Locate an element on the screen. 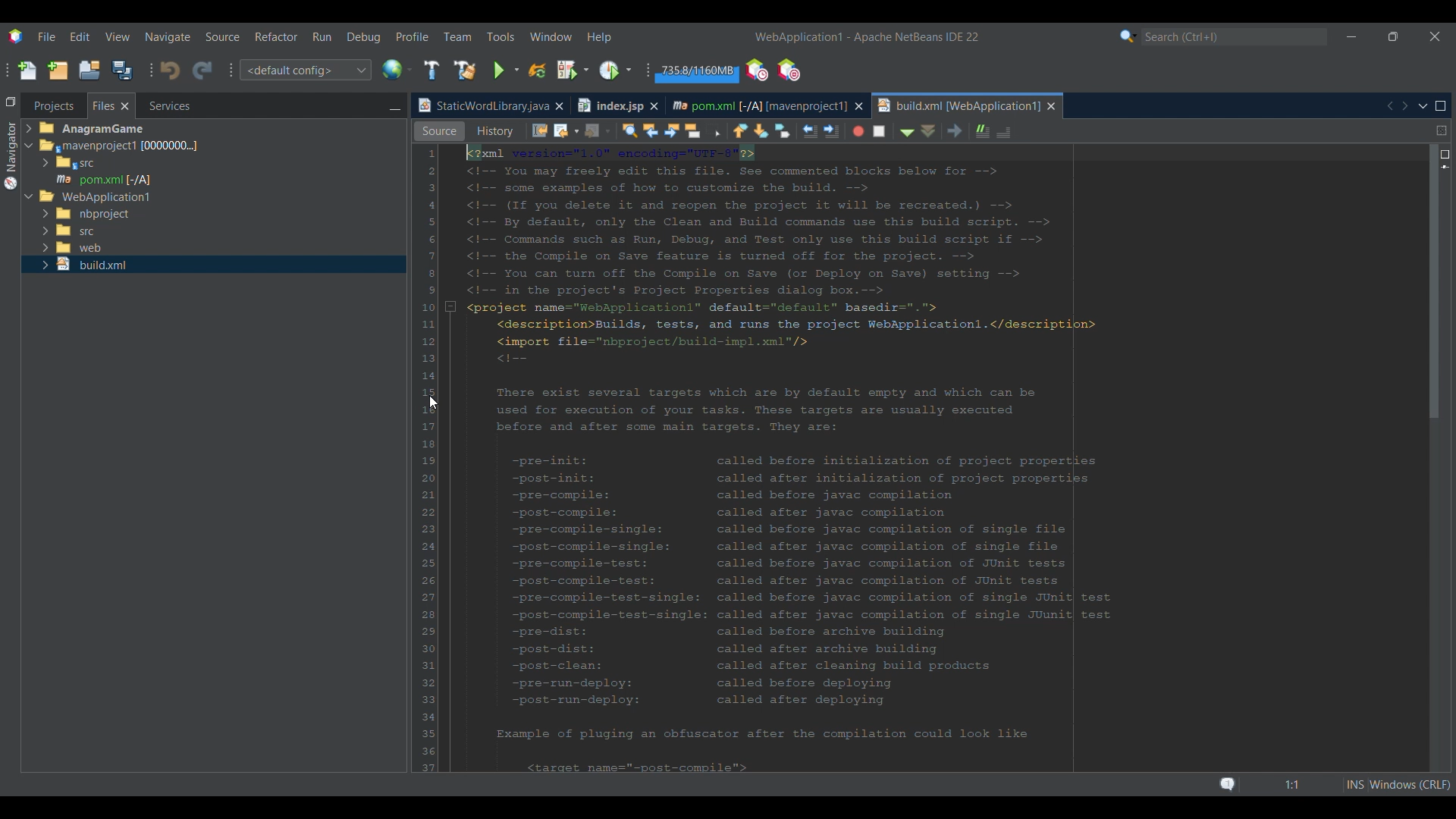  Projects tab is located at coordinates (53, 105).